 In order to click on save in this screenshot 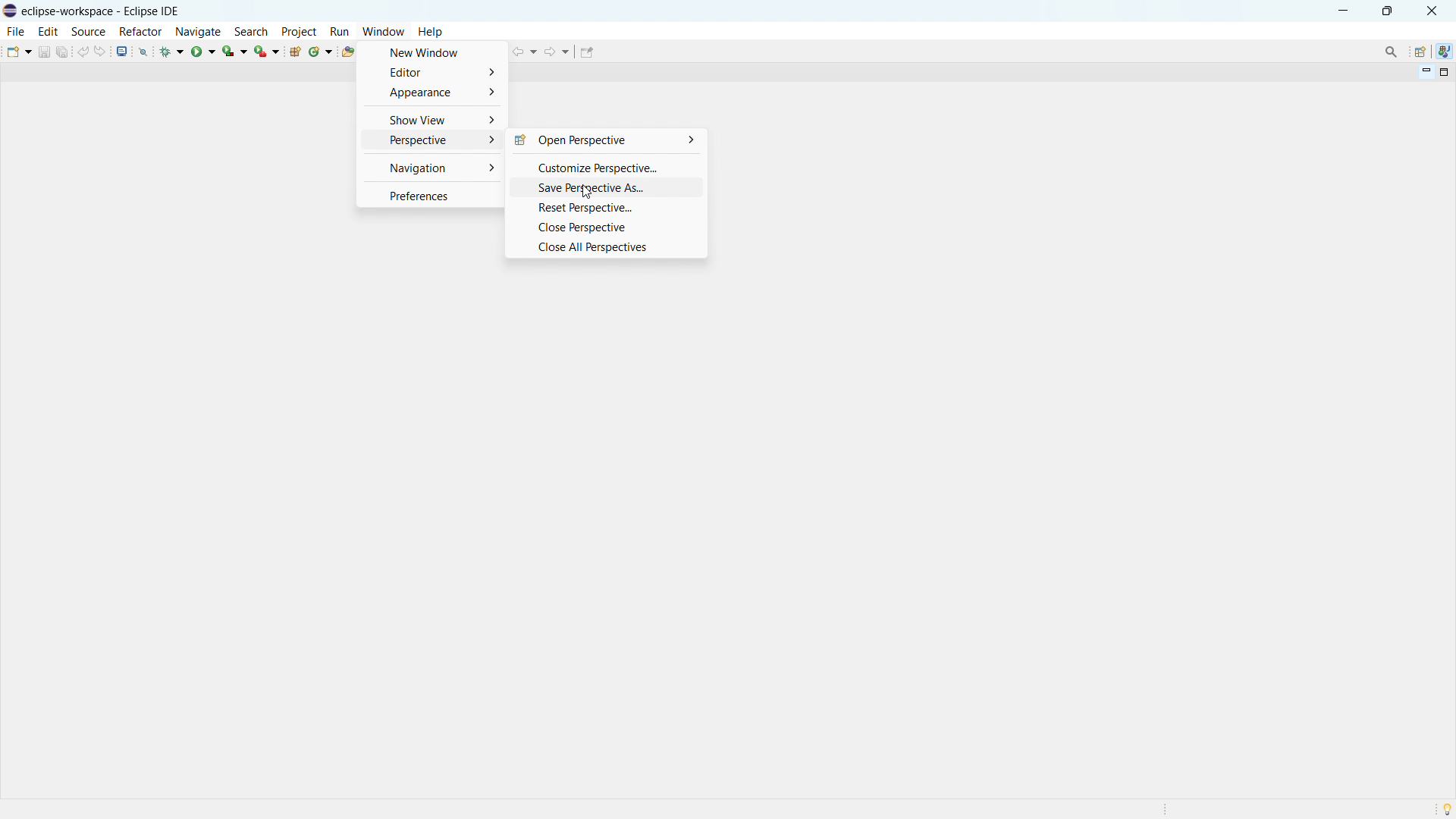, I will do `click(44, 52)`.